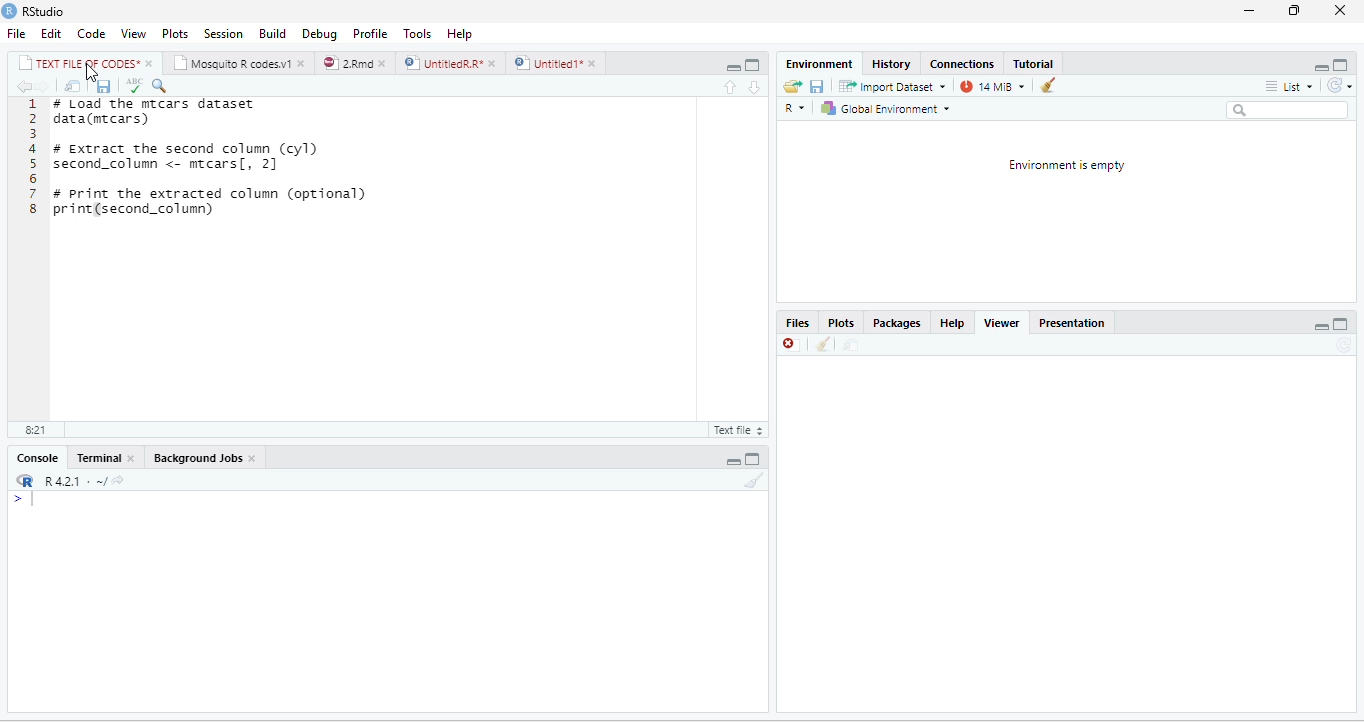 The height and width of the screenshot is (722, 1364). What do you see at coordinates (32, 193) in the screenshot?
I see `7` at bounding box center [32, 193].